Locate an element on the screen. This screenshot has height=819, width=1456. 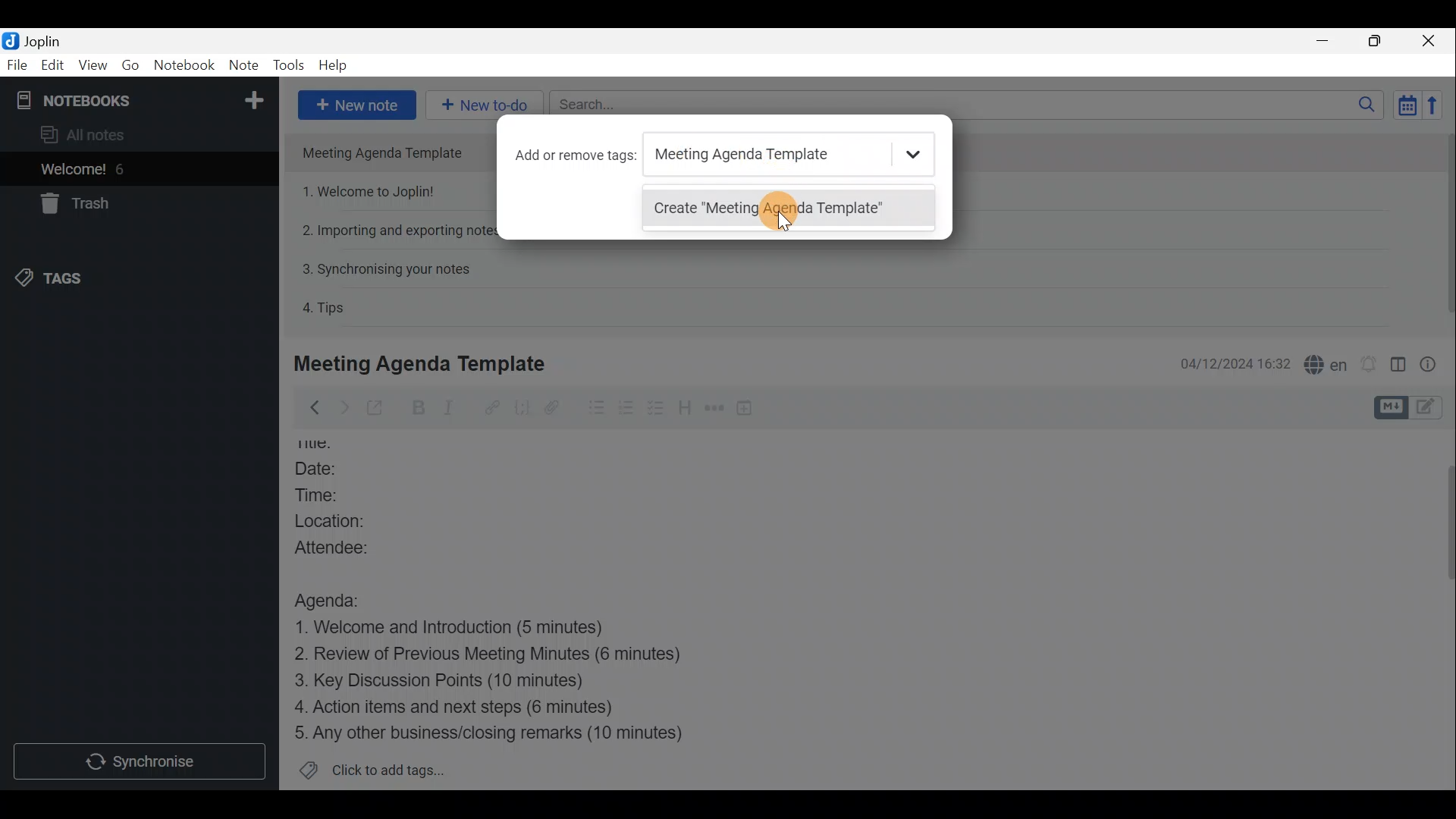
Reverse sort order is located at coordinates (1435, 105).